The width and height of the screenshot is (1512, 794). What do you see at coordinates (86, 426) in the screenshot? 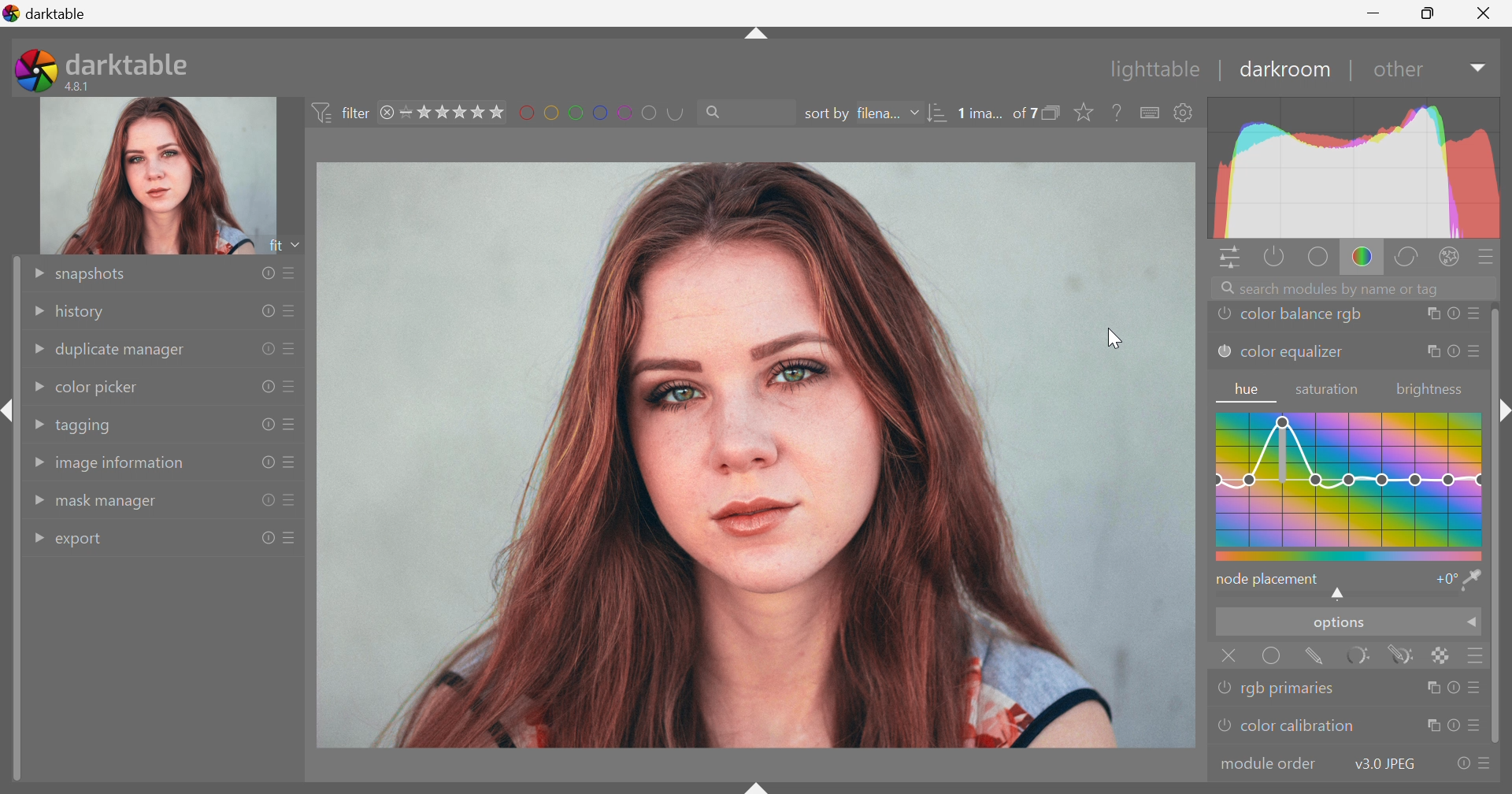
I see `tagging` at bounding box center [86, 426].